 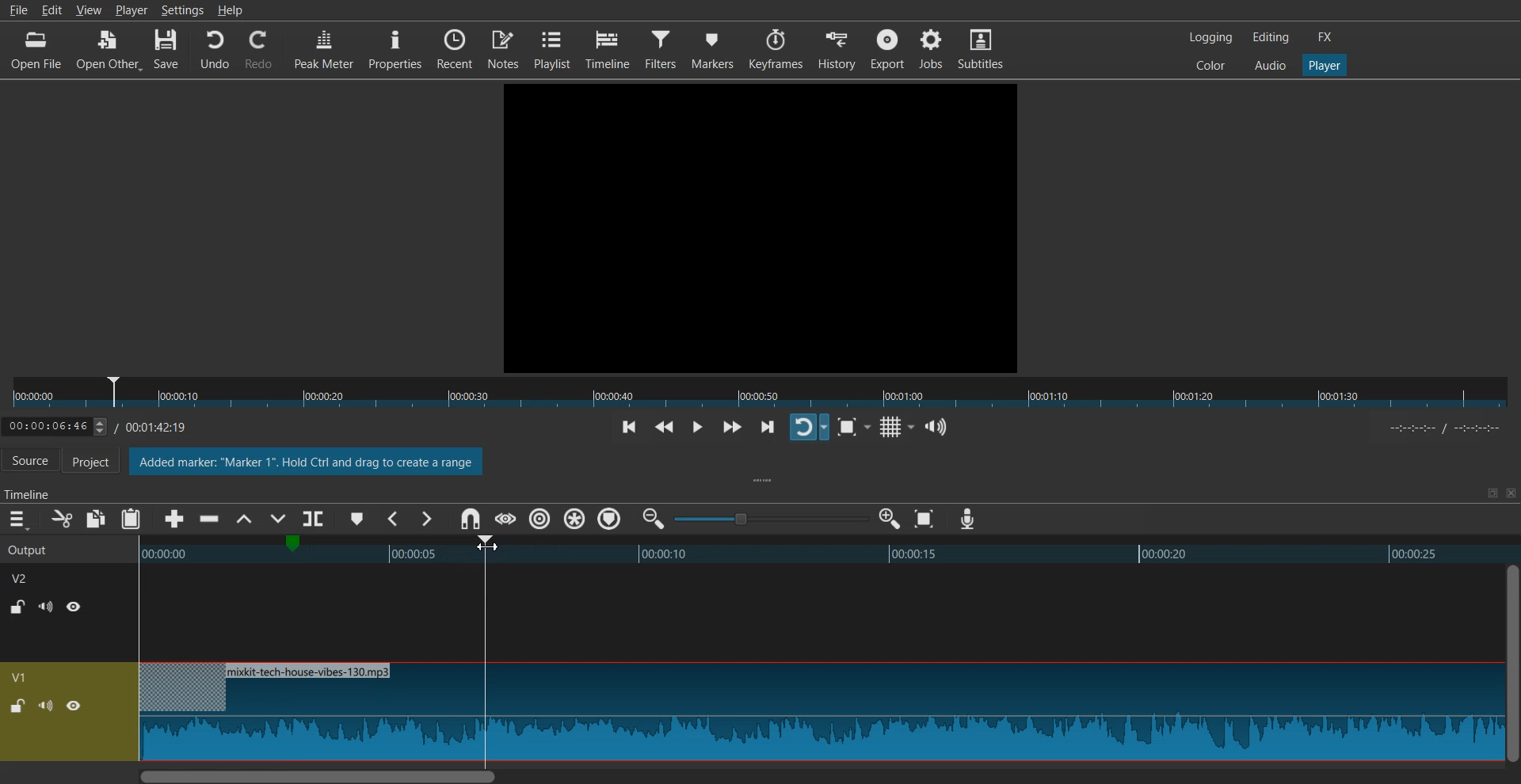 What do you see at coordinates (1511, 663) in the screenshot?
I see `Vertical Scroll bar` at bounding box center [1511, 663].